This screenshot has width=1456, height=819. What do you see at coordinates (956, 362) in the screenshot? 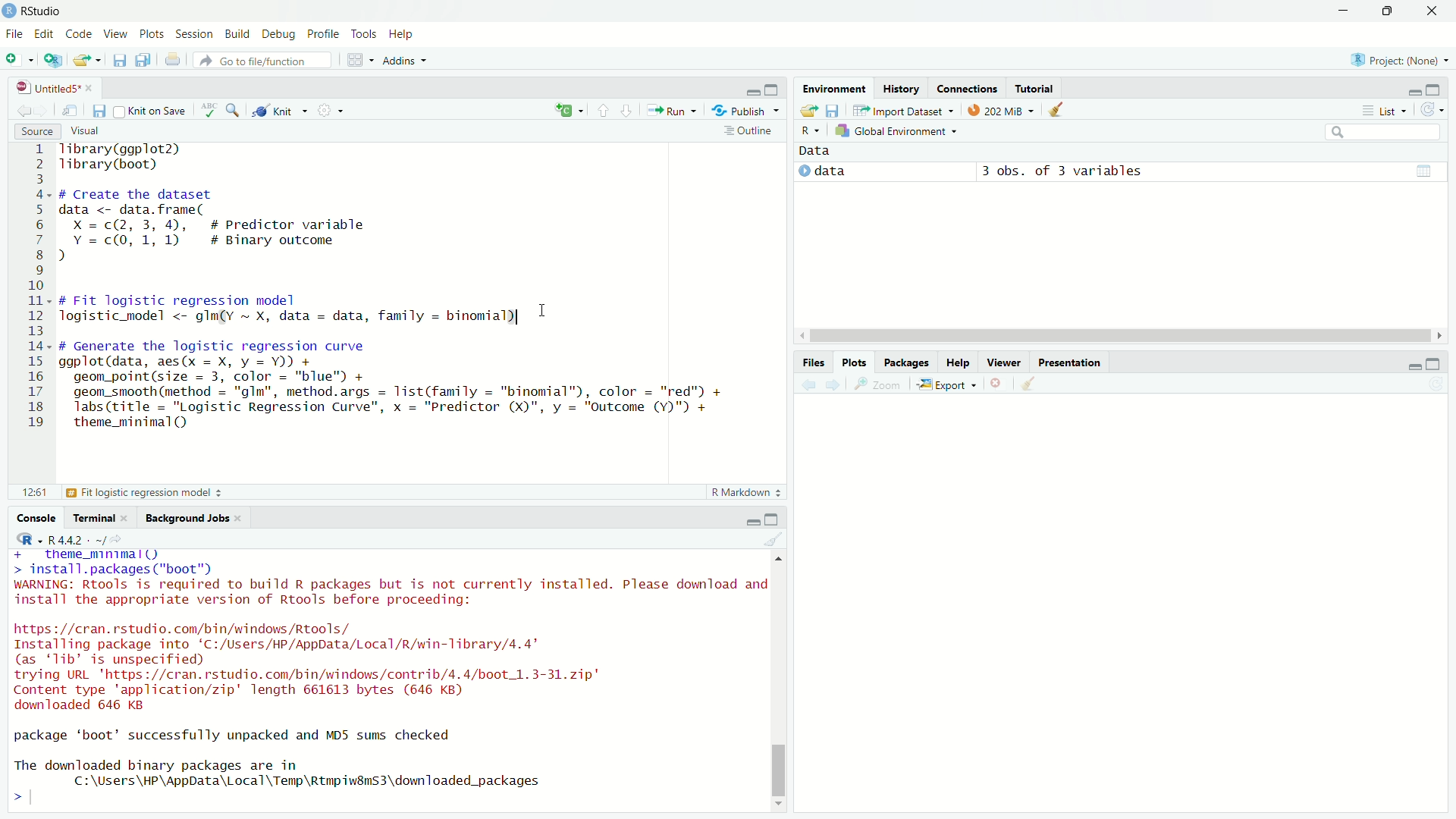
I see `Help` at bounding box center [956, 362].